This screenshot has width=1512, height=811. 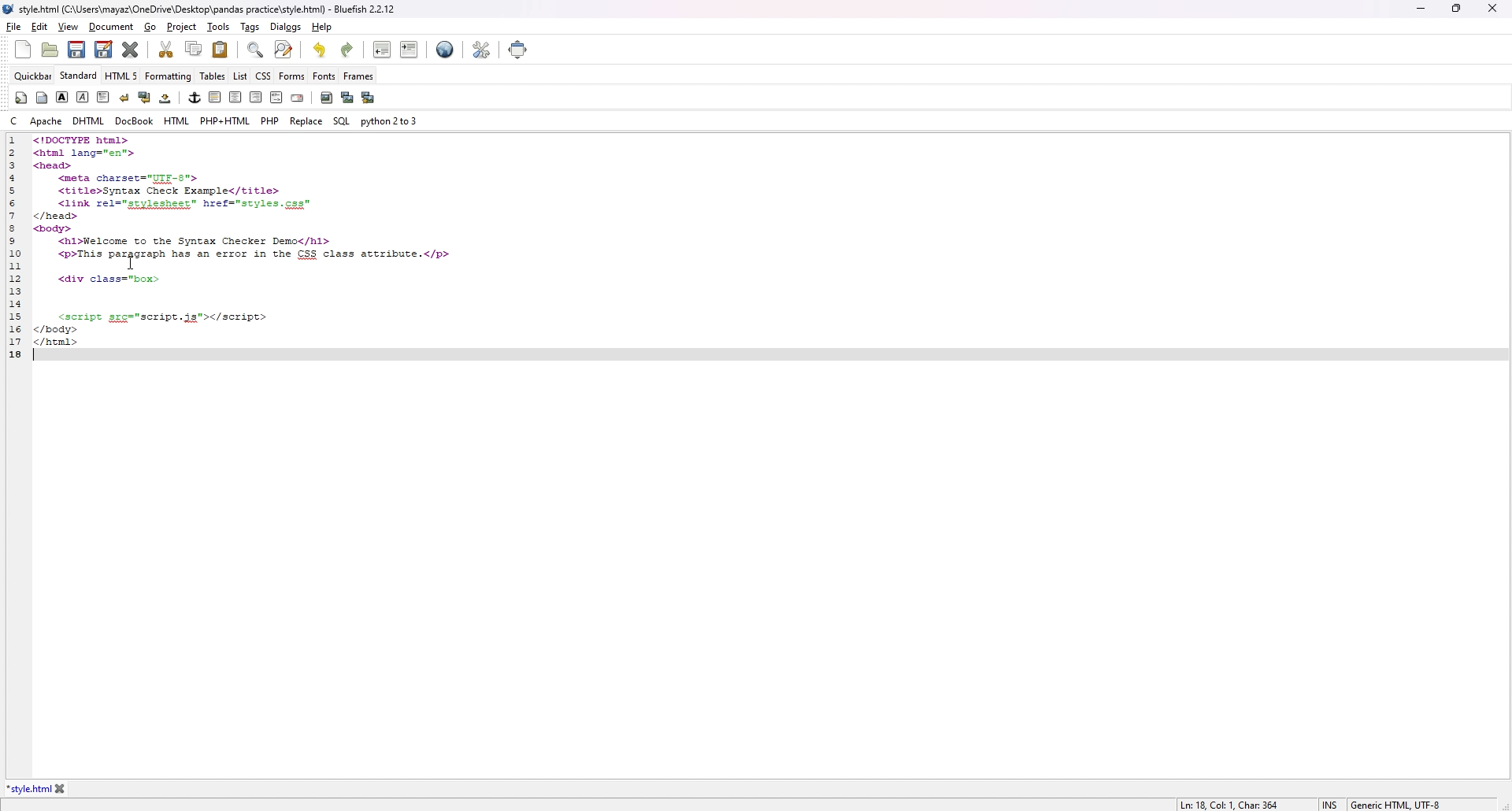 I want to click on go, so click(x=152, y=27).